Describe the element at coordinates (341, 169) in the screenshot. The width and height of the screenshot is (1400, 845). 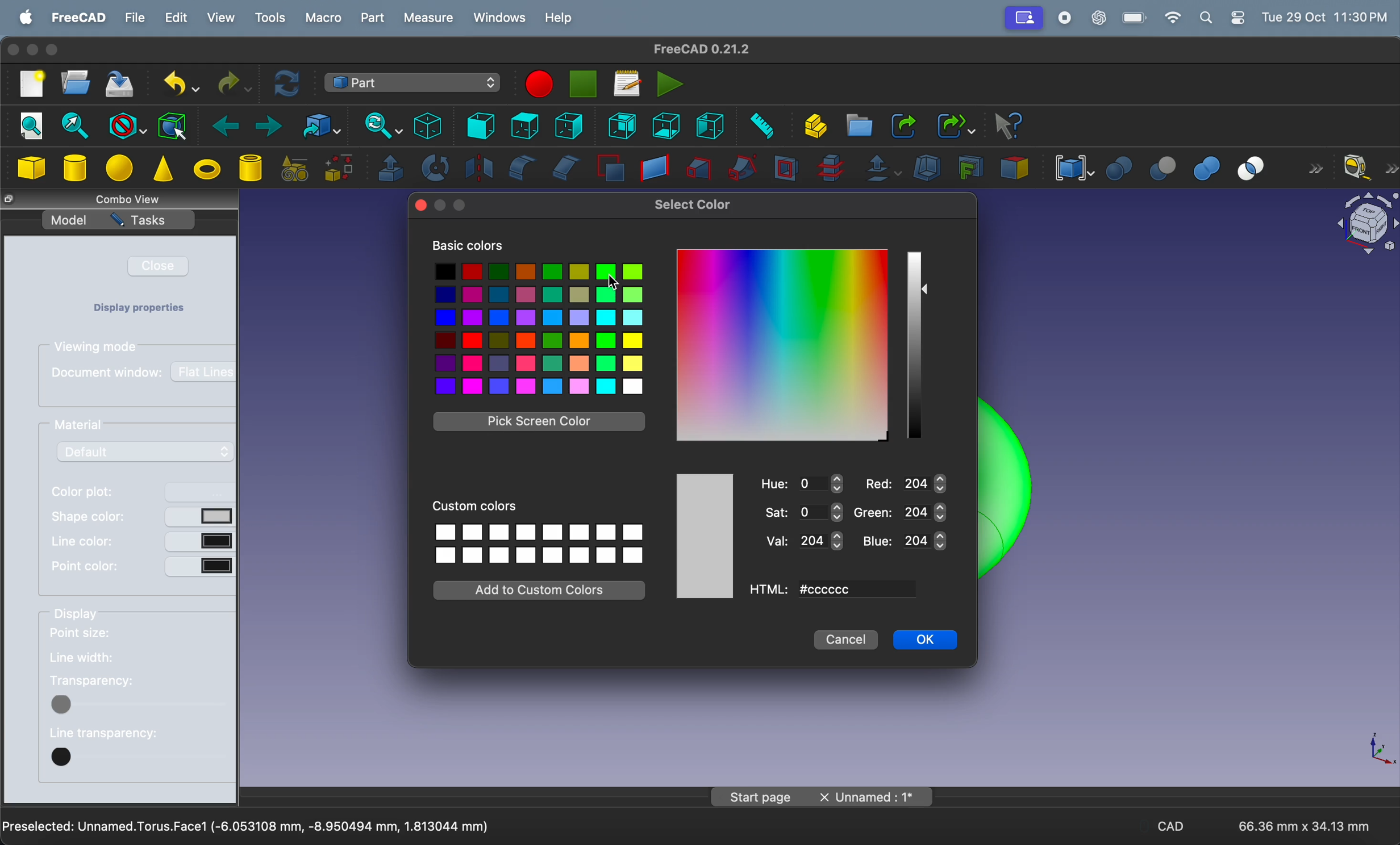
I see `shape builder` at that location.